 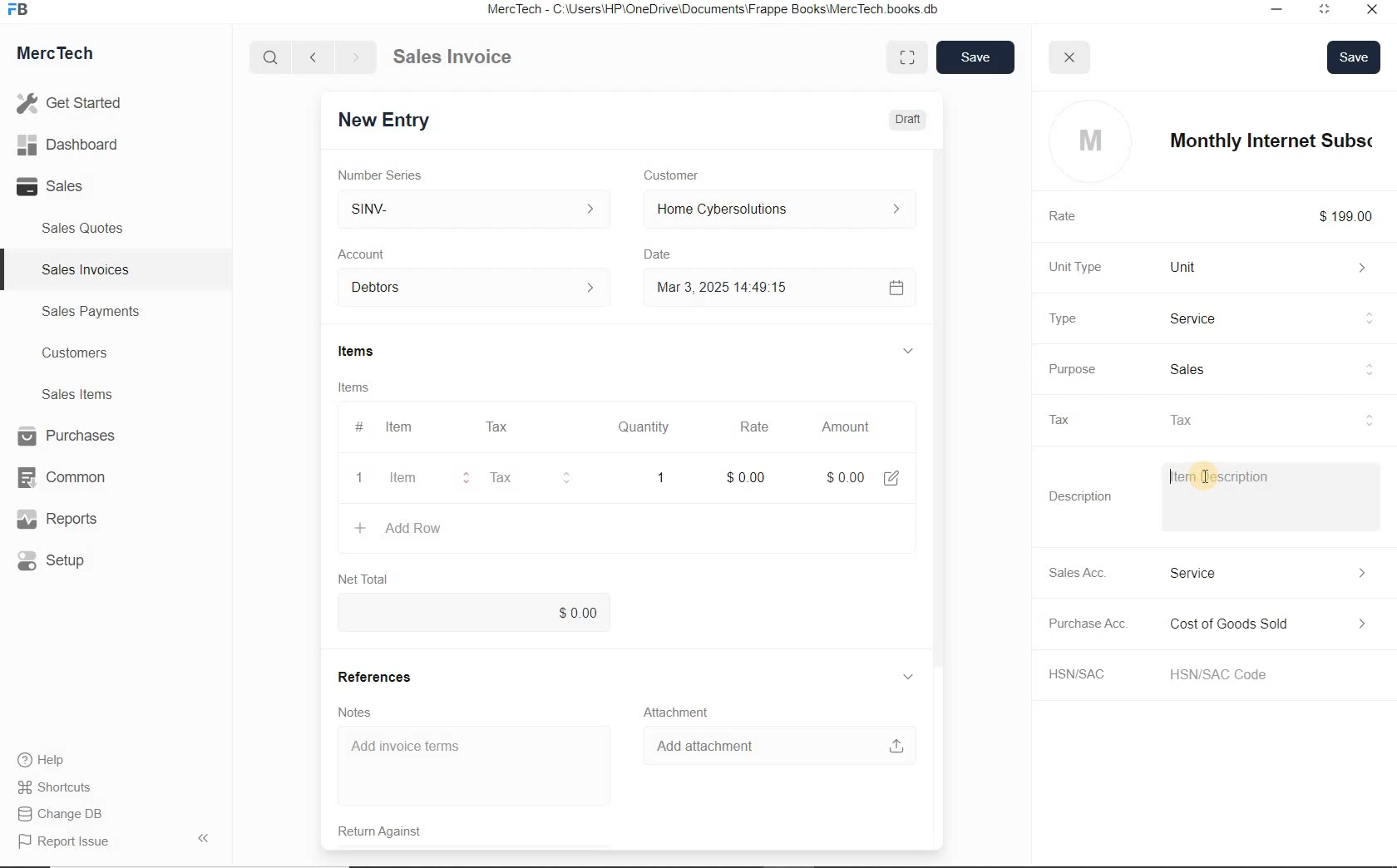 I want to click on MercTech - C:\Users\HP\OneDrive\Documents\Frappe Books\MercTech books db, so click(x=715, y=10).